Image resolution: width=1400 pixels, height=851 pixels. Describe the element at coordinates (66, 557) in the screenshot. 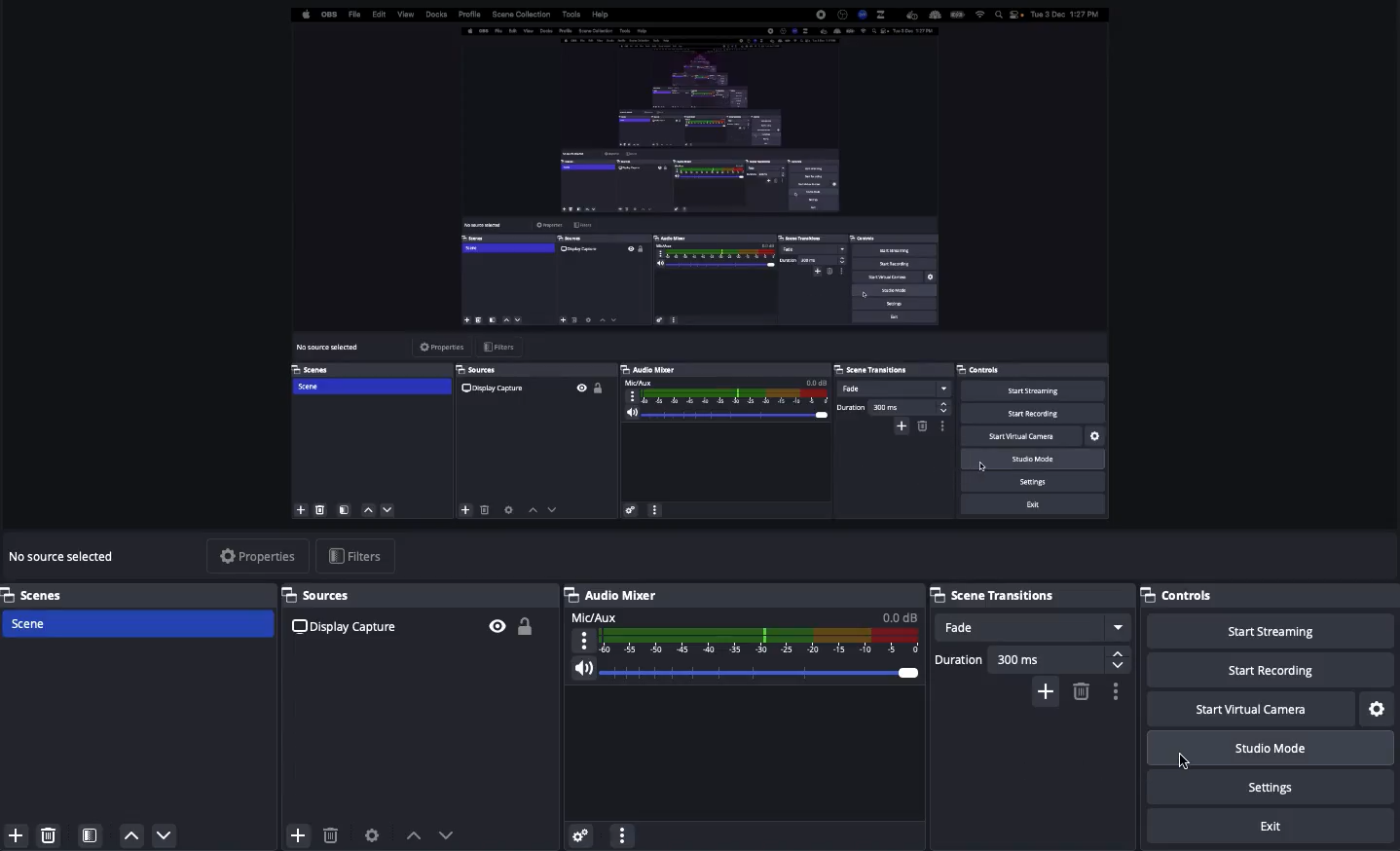

I see `No source selected` at that location.